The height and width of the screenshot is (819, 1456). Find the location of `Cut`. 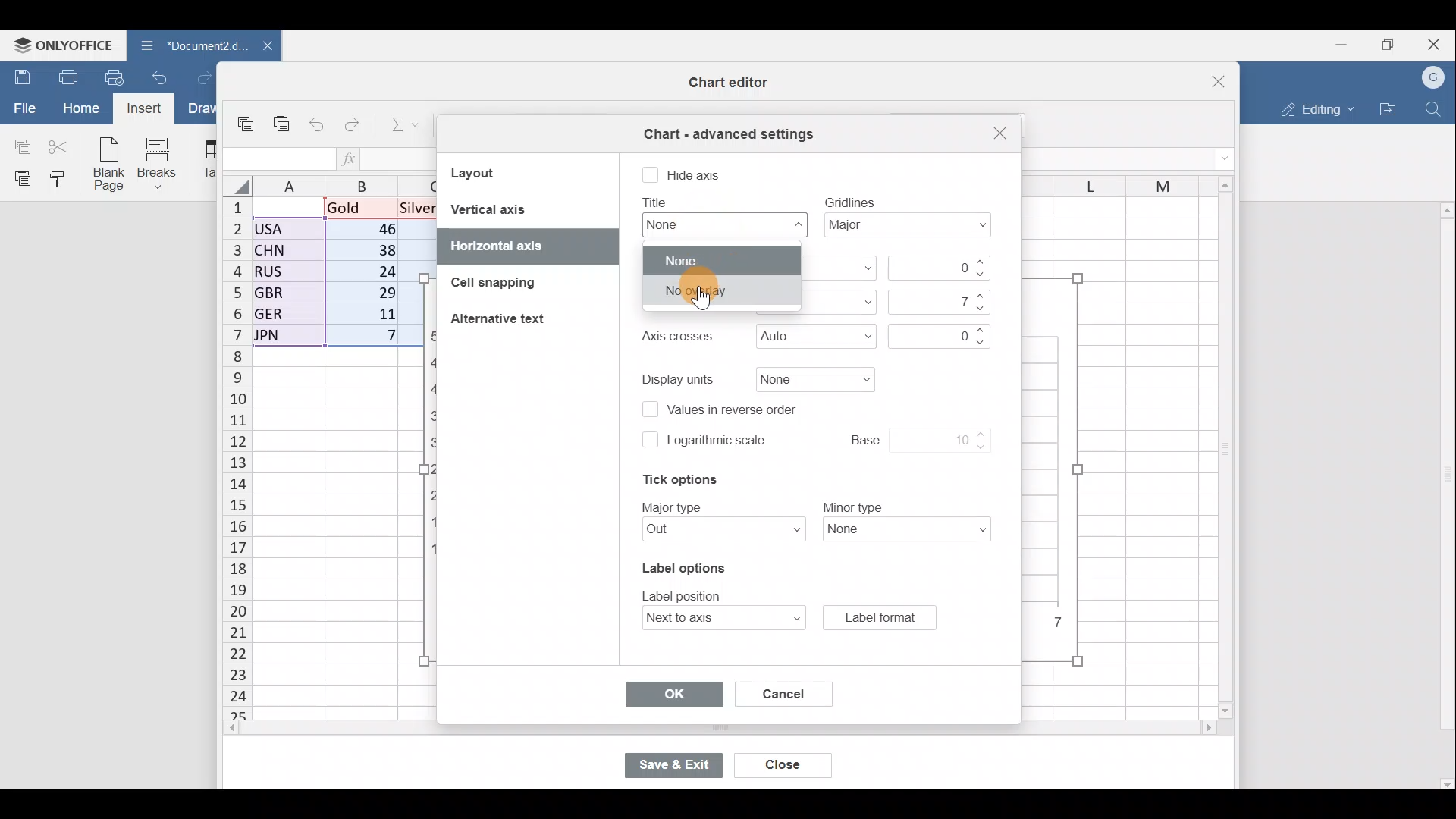

Cut is located at coordinates (61, 146).